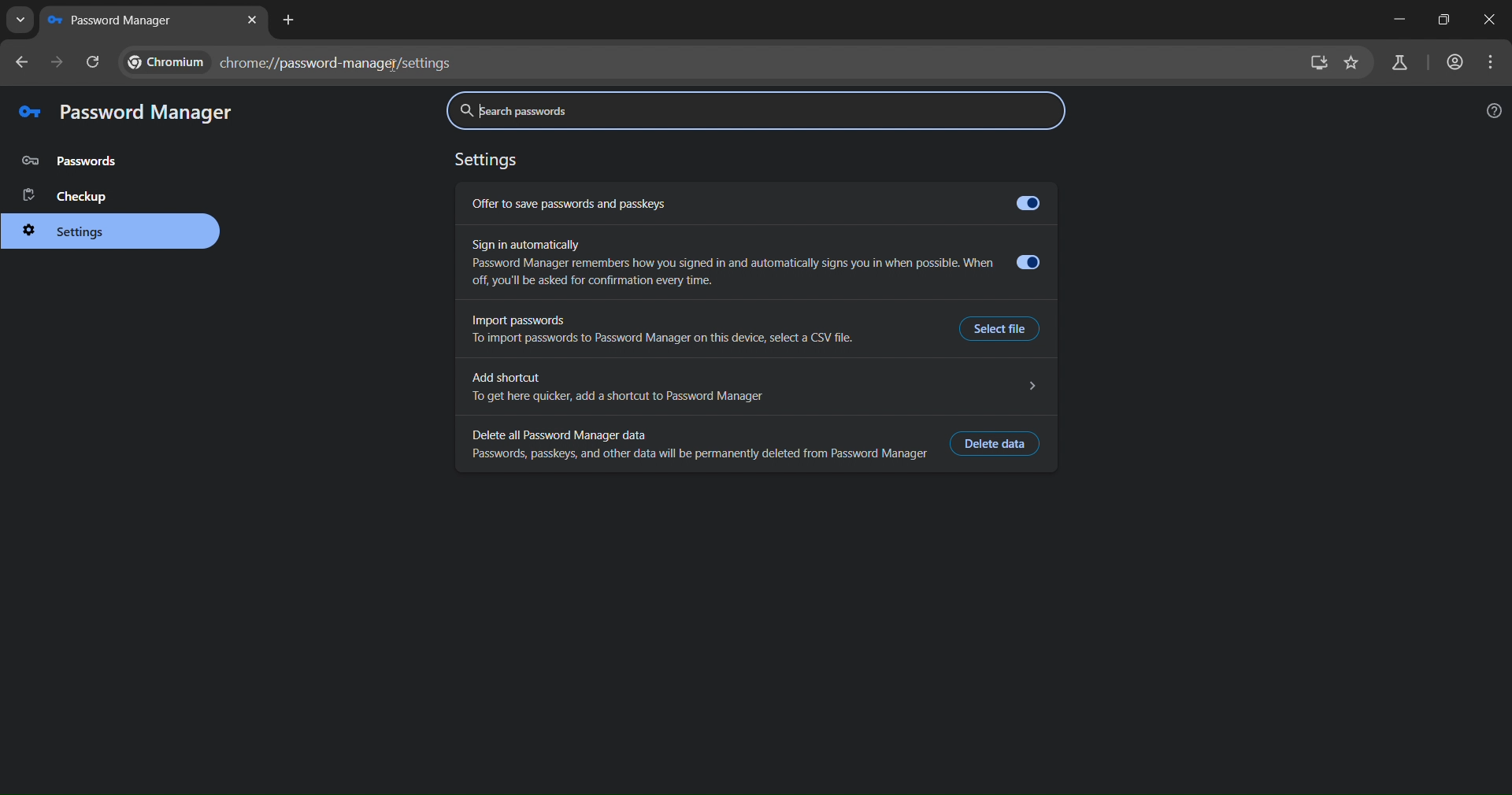 The image size is (1512, 795). What do you see at coordinates (1491, 21) in the screenshot?
I see `close` at bounding box center [1491, 21].